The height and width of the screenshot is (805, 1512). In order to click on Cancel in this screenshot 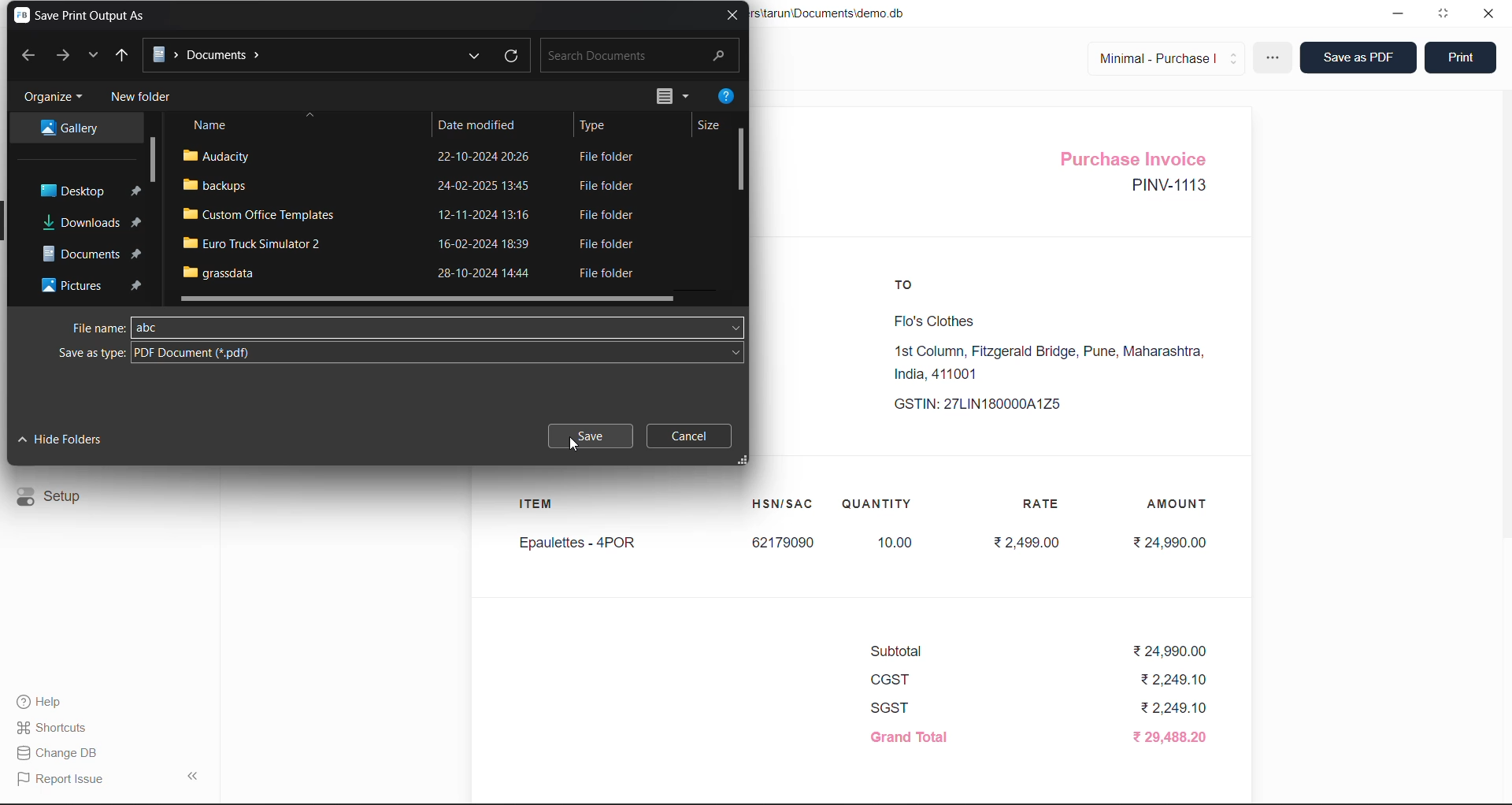, I will do `click(691, 438)`.